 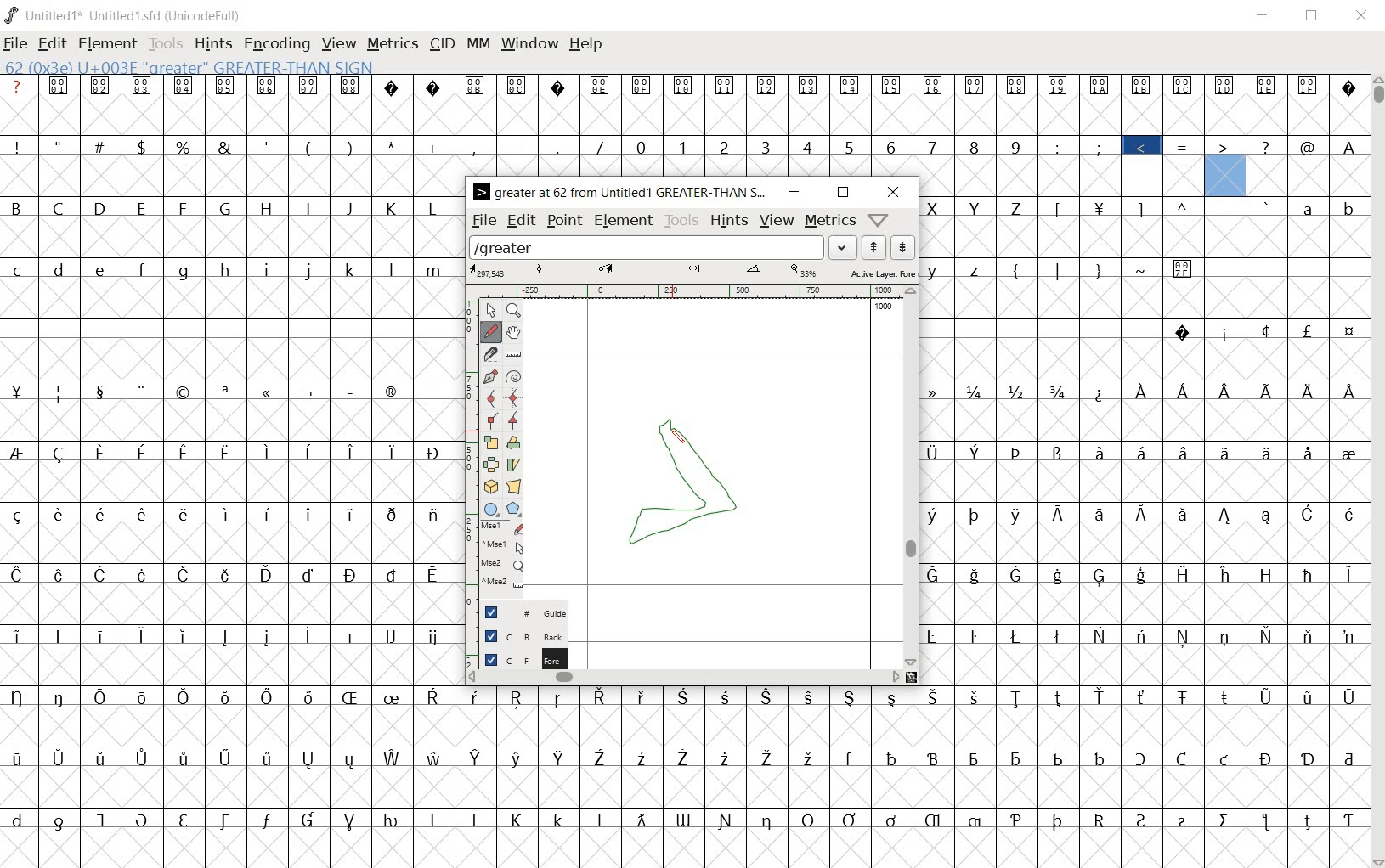 What do you see at coordinates (684, 679) in the screenshot?
I see `scrollbar` at bounding box center [684, 679].